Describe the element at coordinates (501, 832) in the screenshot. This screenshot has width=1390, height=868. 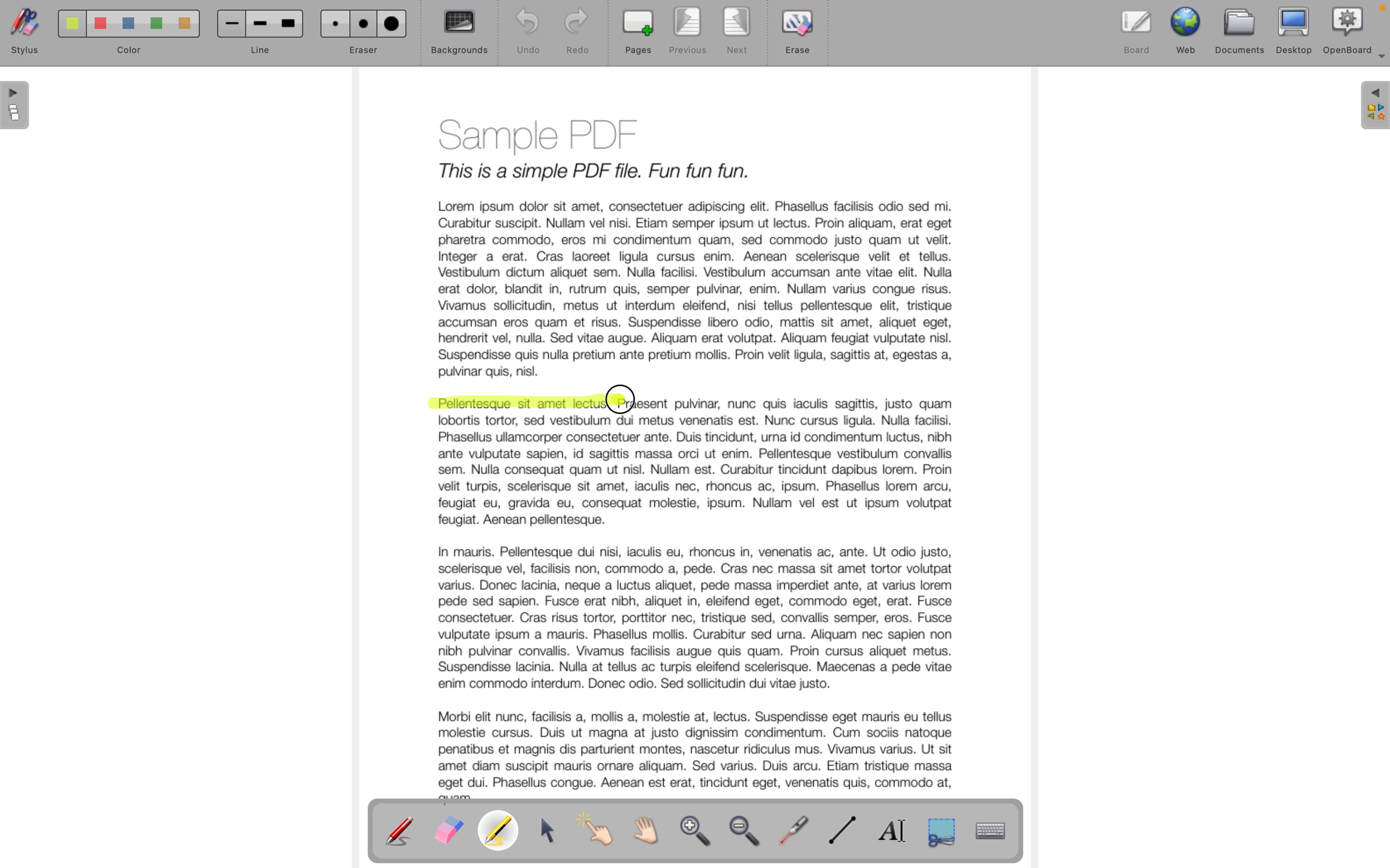
I see `highligth` at that location.